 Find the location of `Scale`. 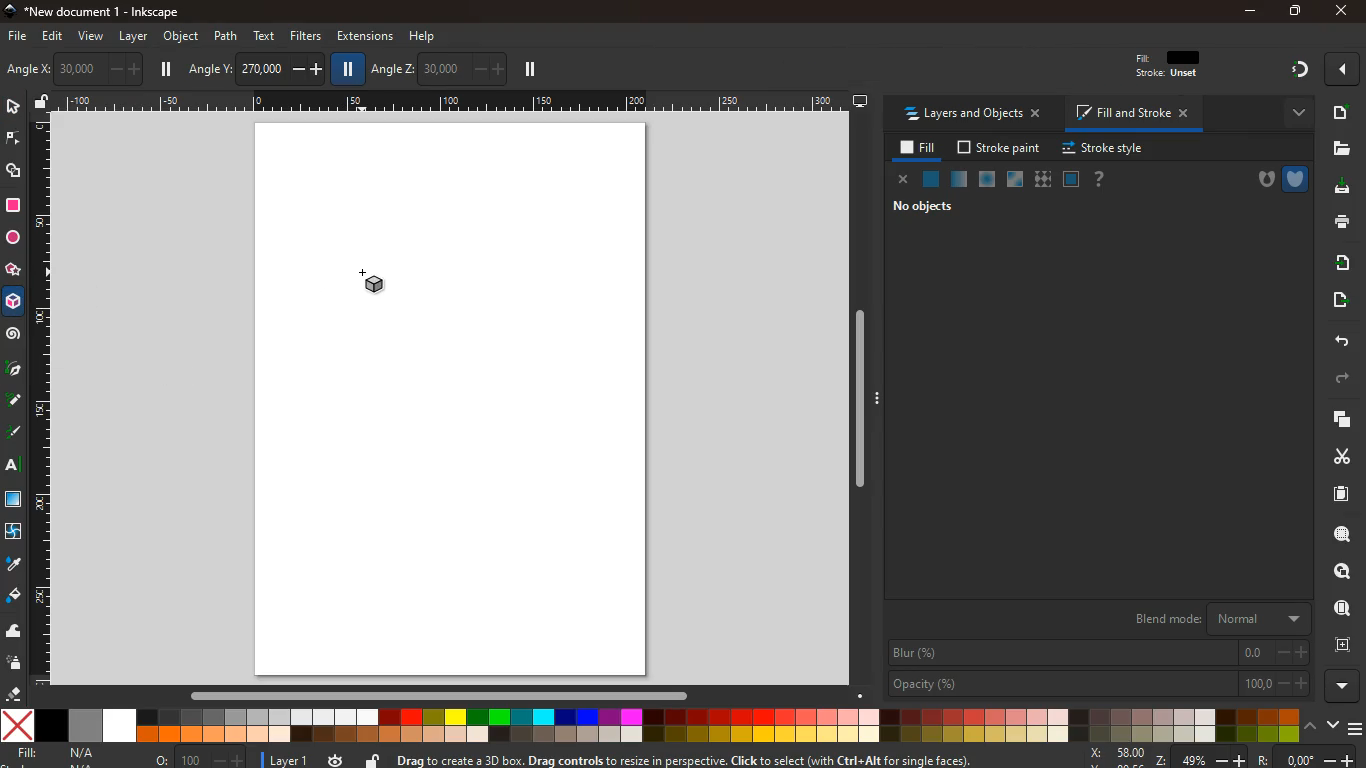

Scale is located at coordinates (43, 400).